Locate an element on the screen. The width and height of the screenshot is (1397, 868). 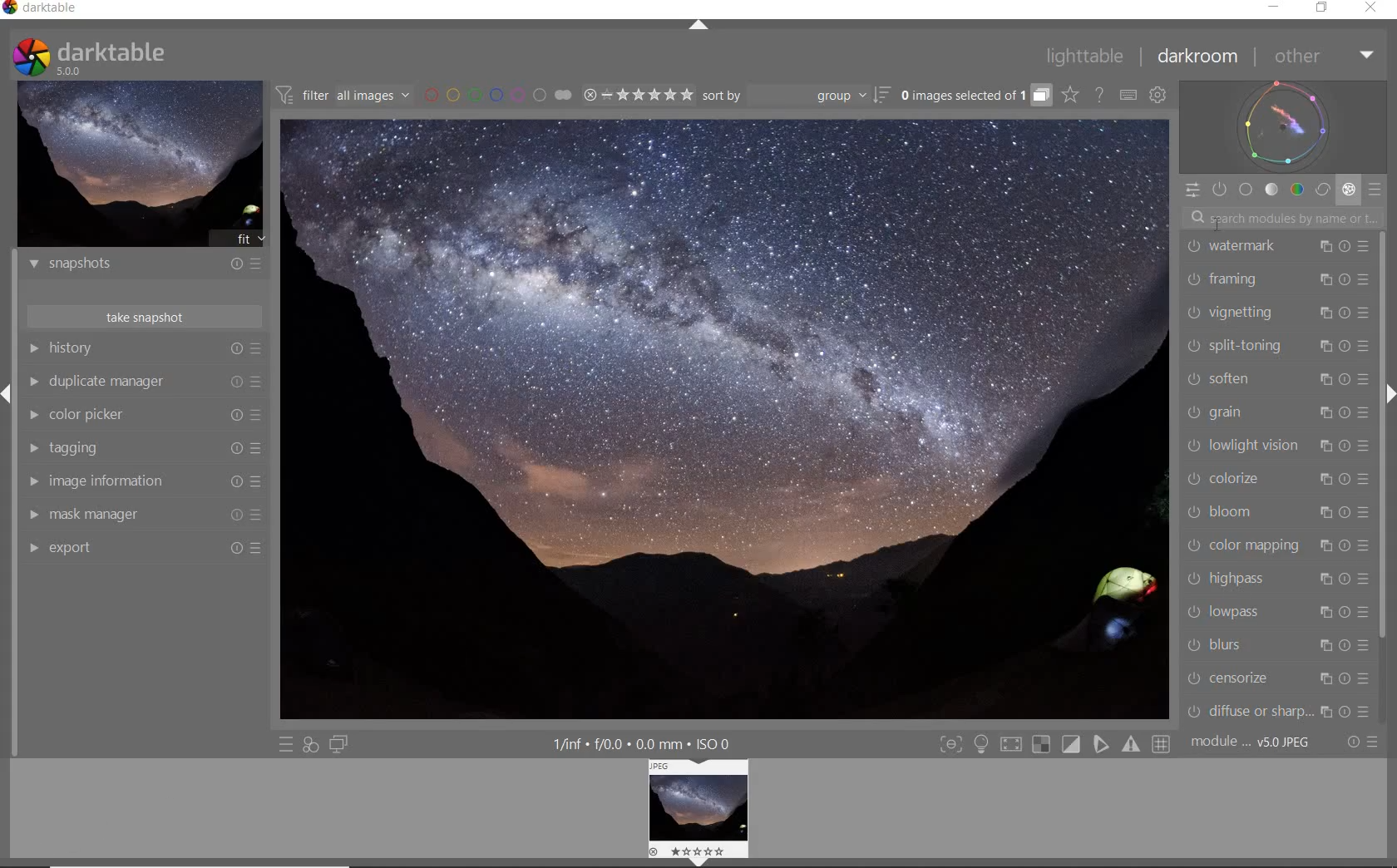
tagging is located at coordinates (86, 447).